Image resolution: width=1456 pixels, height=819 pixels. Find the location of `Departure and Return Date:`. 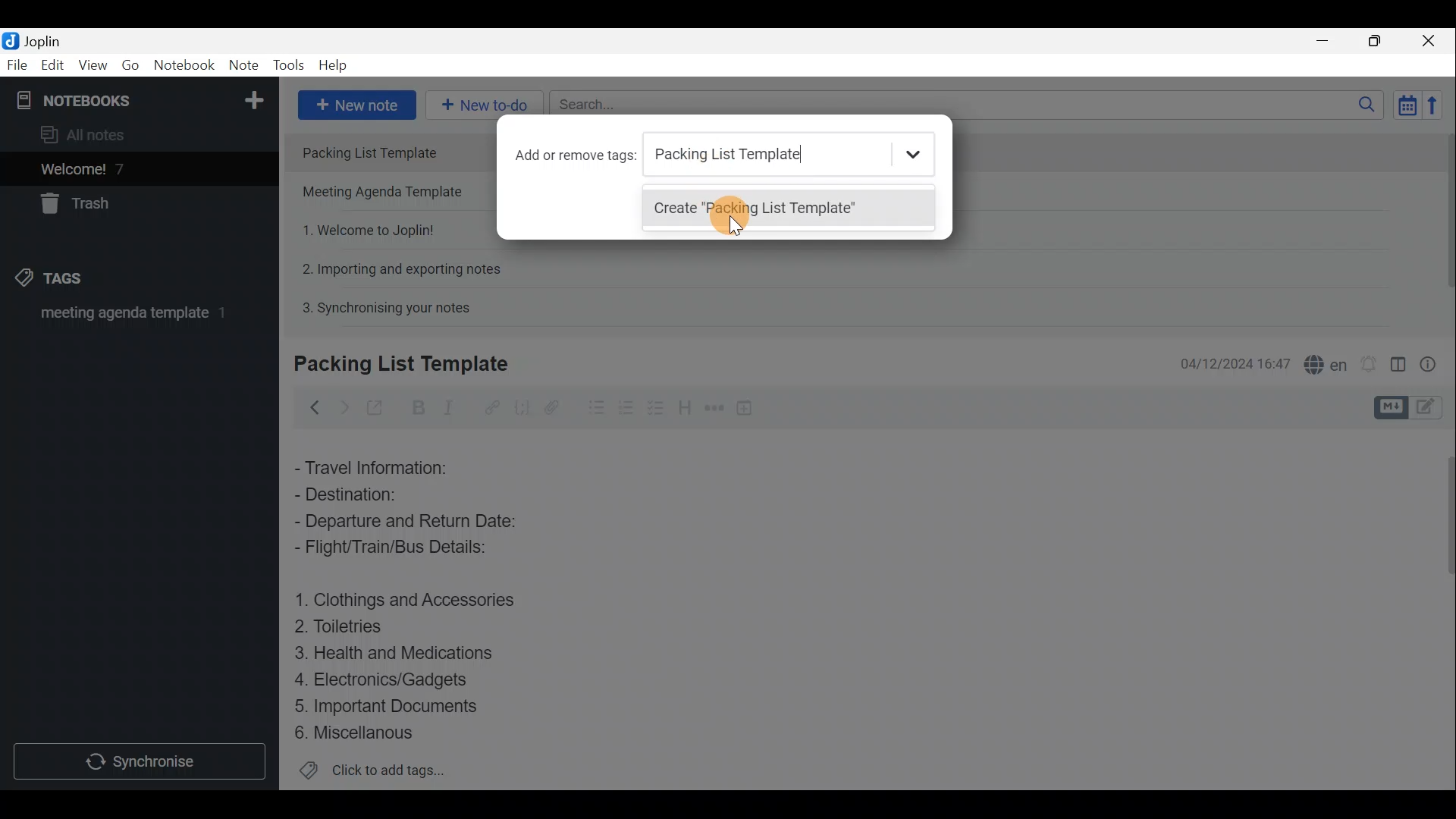

Departure and Return Date: is located at coordinates (407, 523).